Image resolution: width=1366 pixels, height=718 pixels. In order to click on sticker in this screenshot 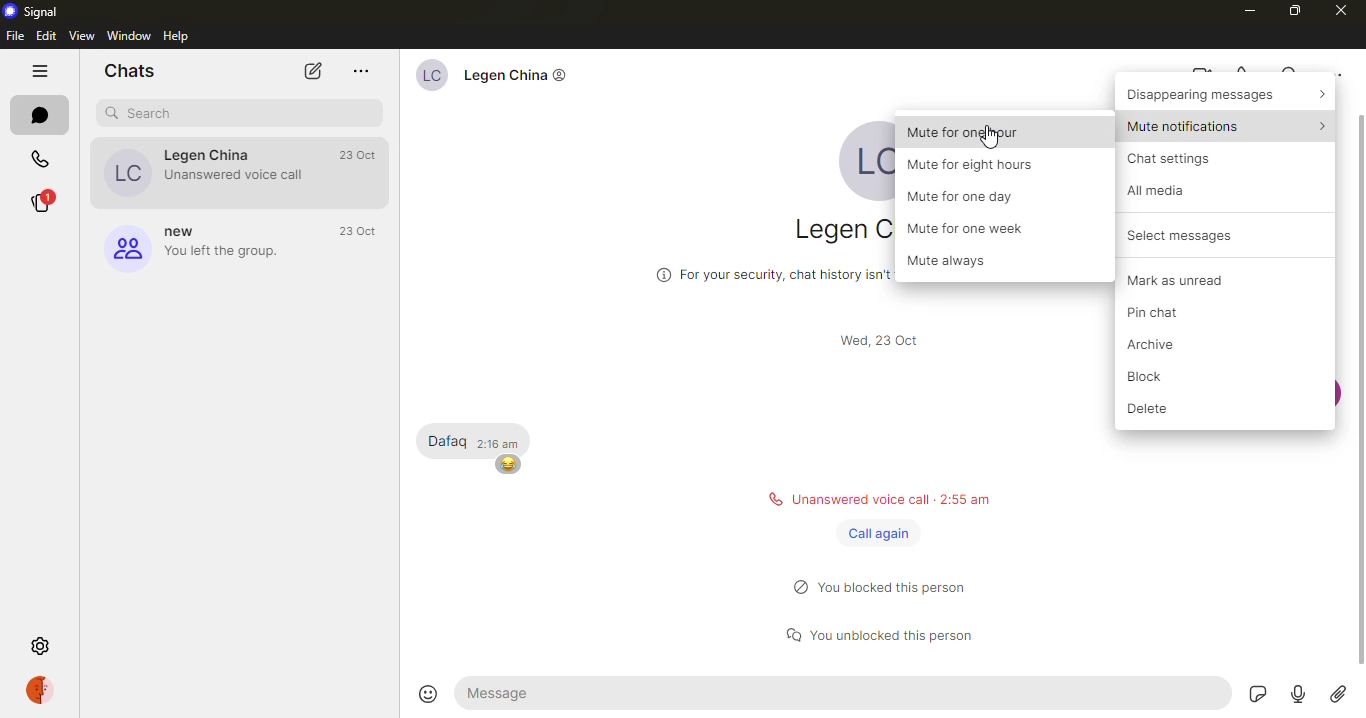, I will do `click(1257, 696)`.